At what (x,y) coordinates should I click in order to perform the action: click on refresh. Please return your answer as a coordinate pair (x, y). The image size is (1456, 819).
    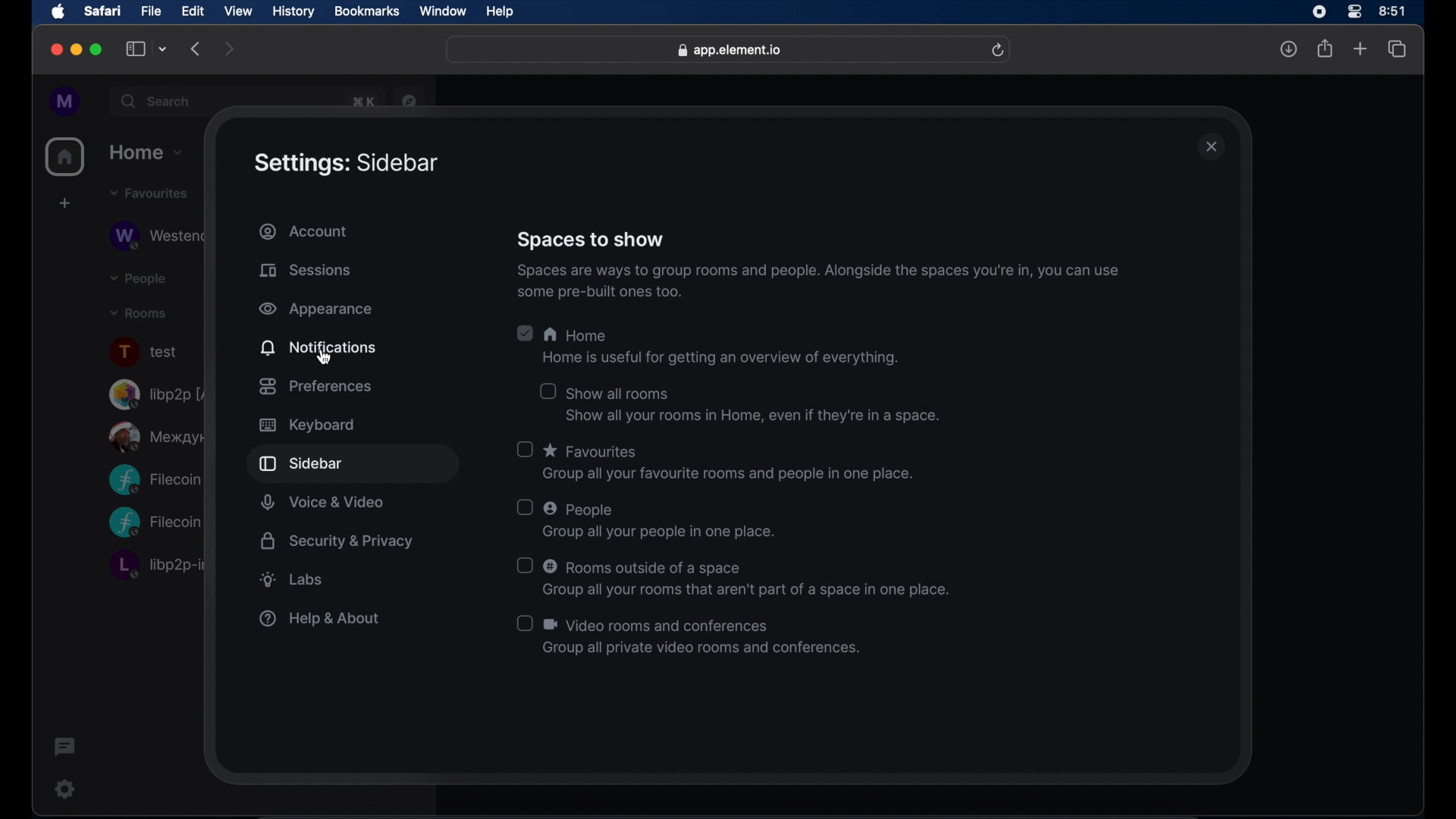
    Looking at the image, I should click on (998, 50).